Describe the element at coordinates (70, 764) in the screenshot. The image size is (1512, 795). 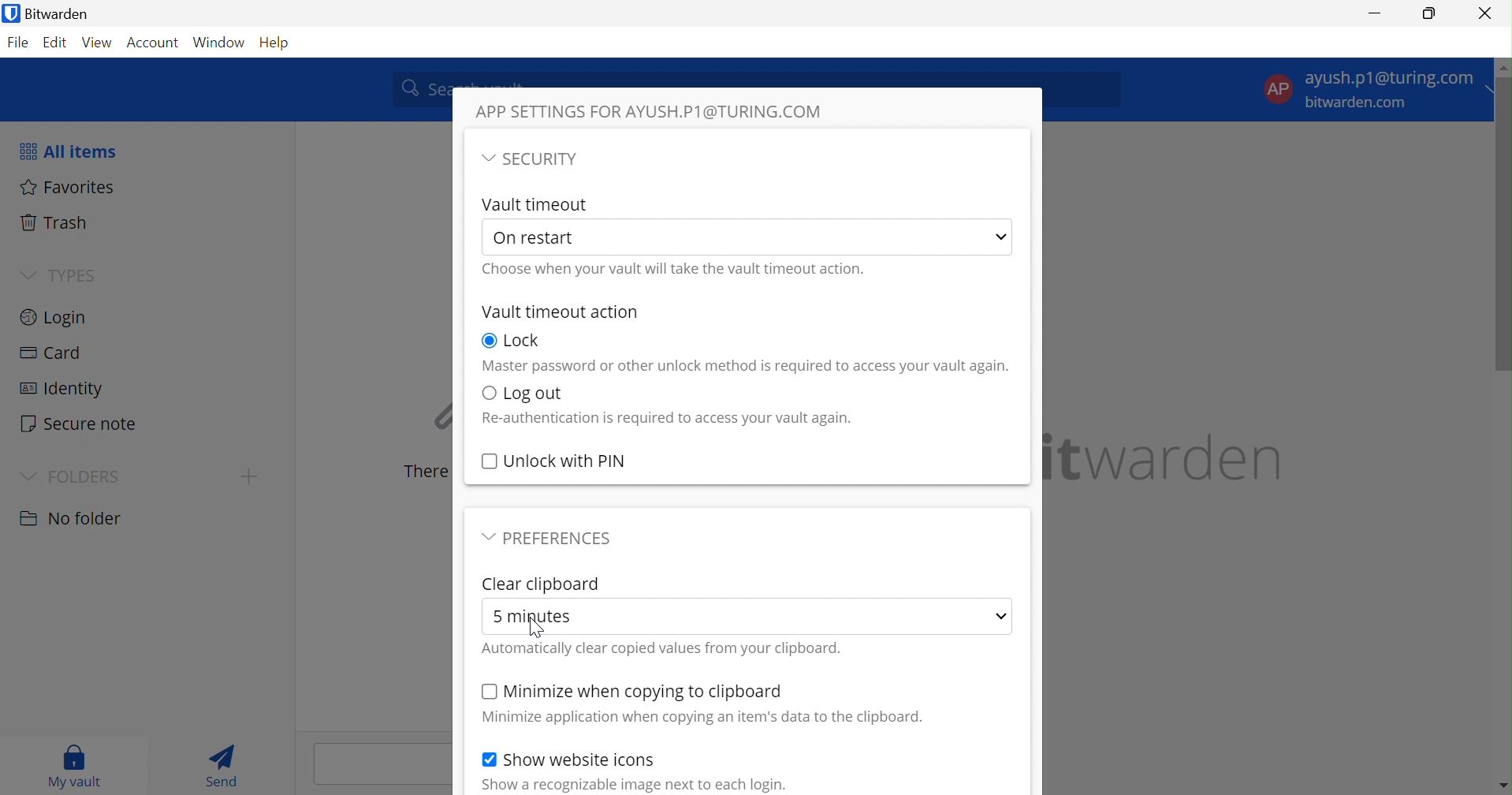
I see `My vault` at that location.